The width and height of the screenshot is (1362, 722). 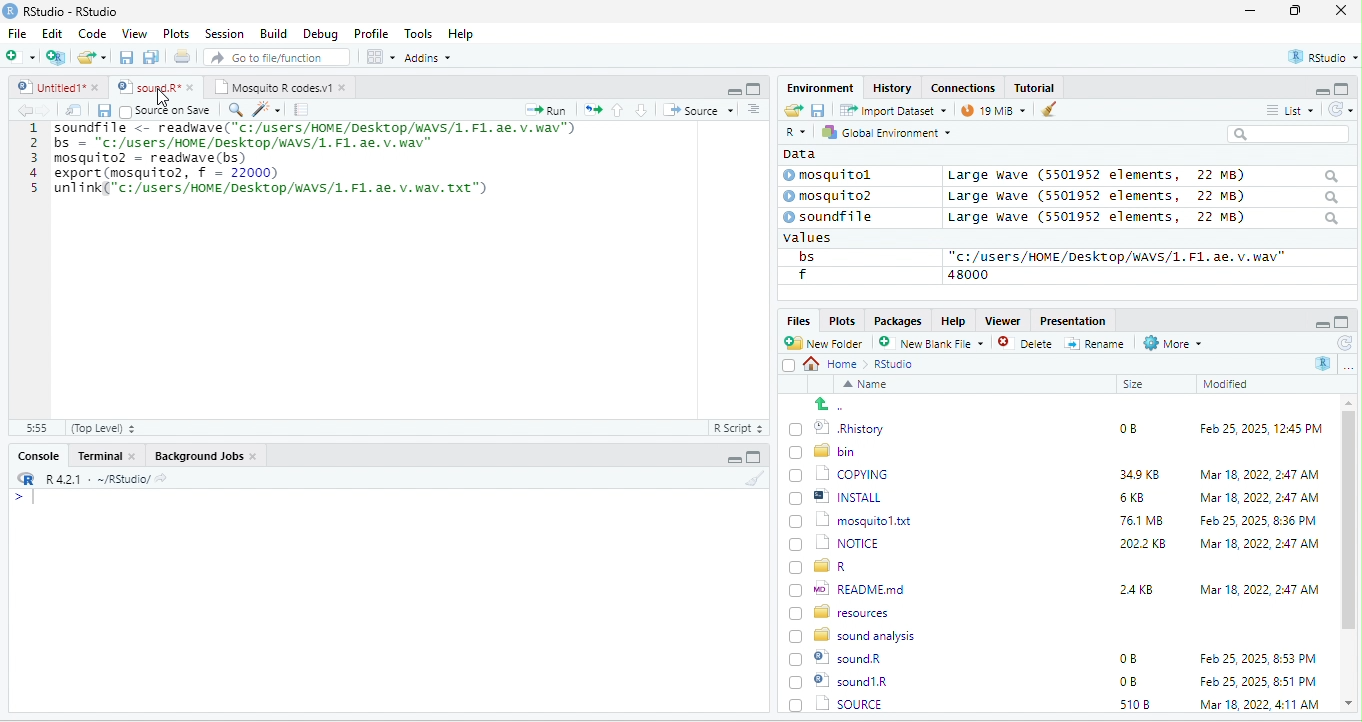 I want to click on Run, so click(x=542, y=110).